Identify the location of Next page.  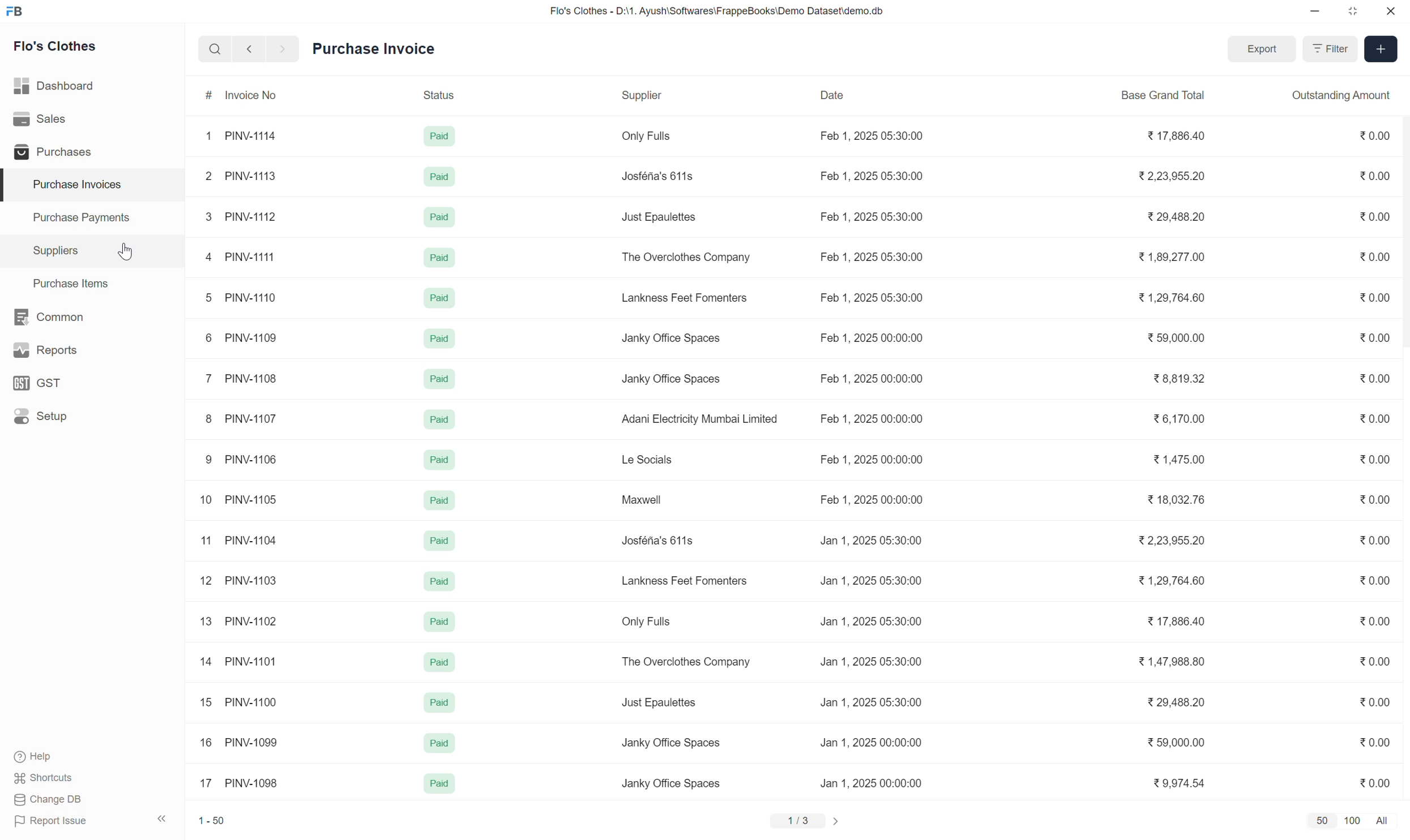
(836, 821).